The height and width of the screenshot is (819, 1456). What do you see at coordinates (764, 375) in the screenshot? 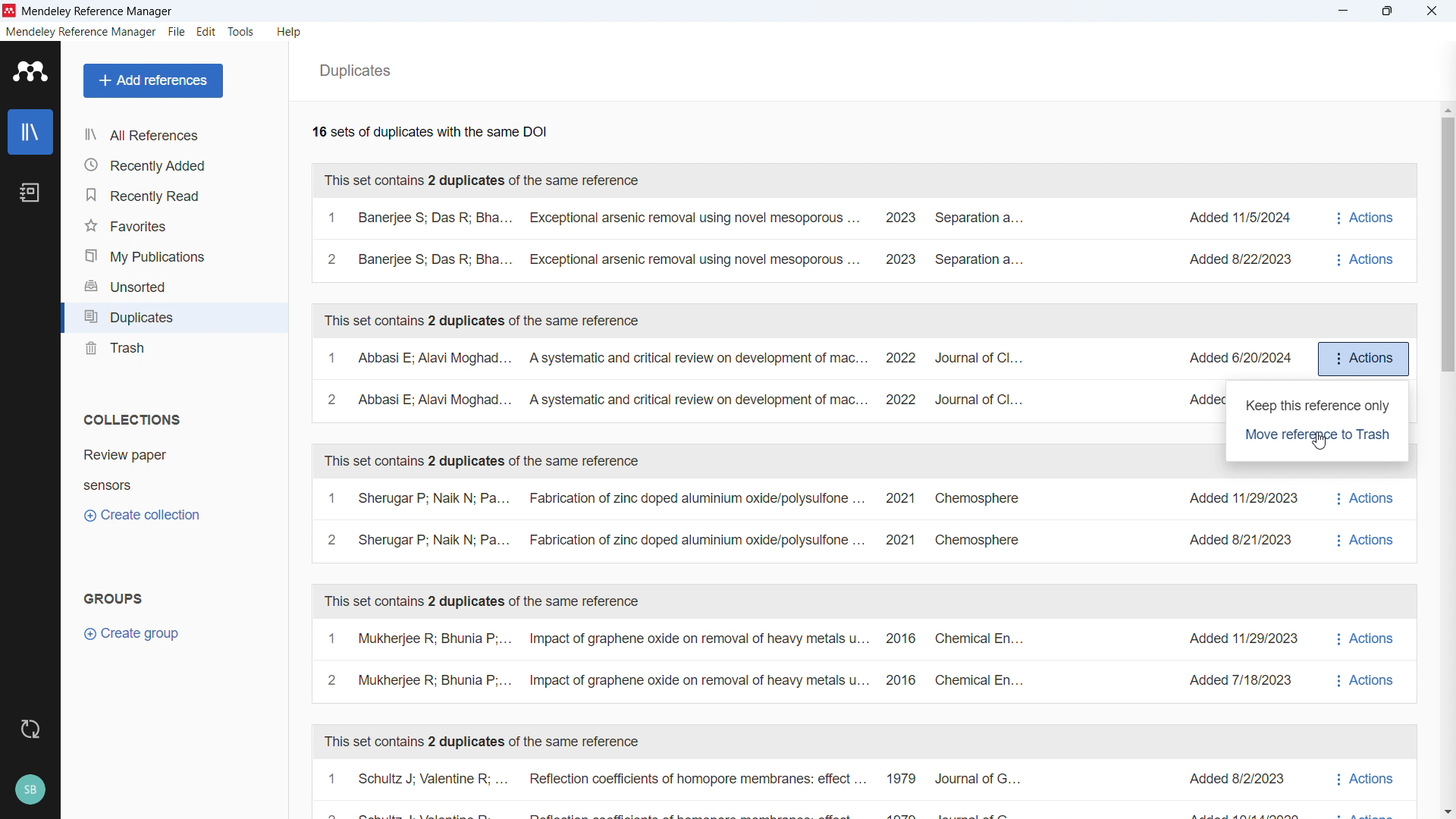
I see `A set of duplicates ` at bounding box center [764, 375].